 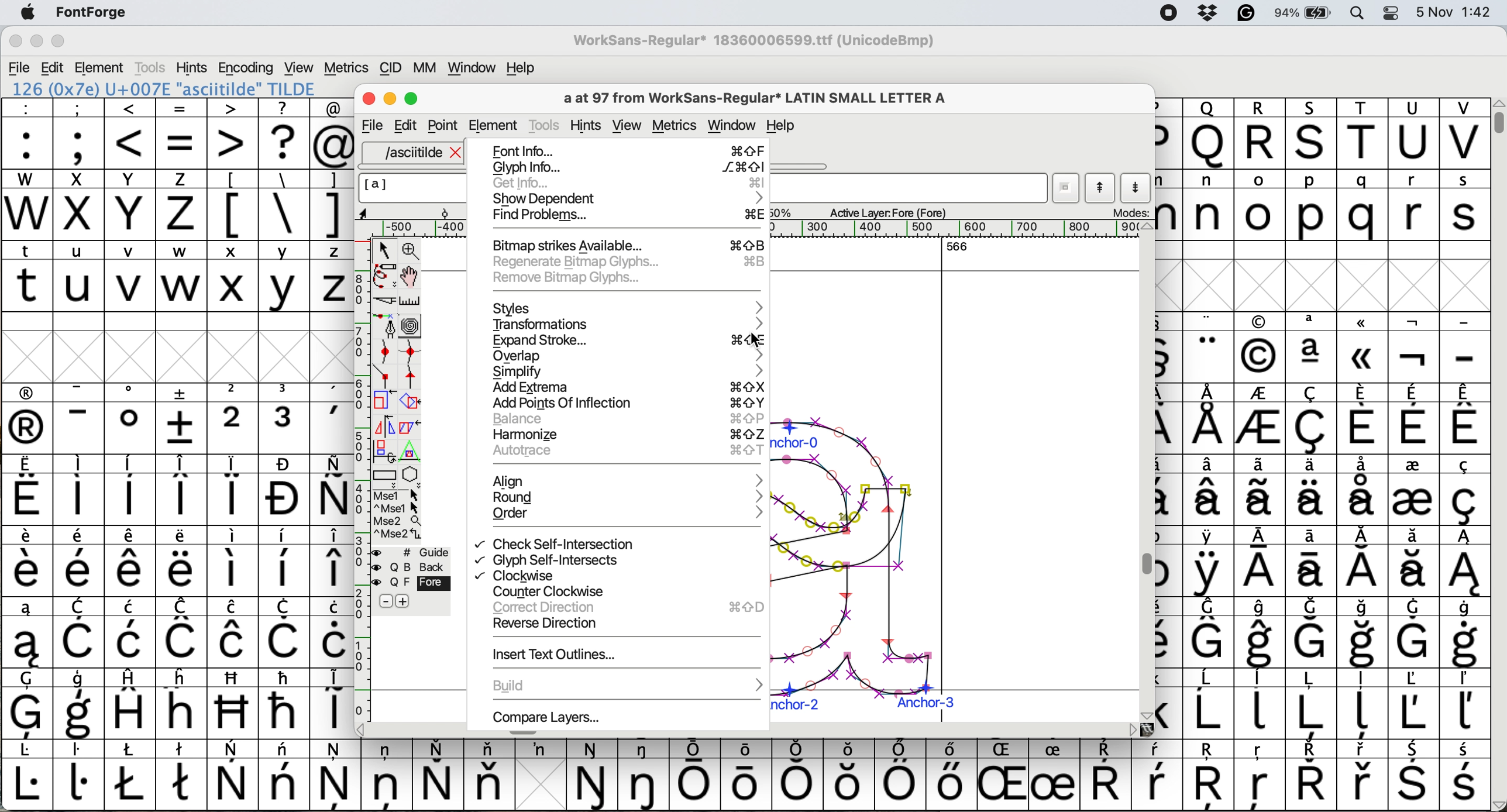 What do you see at coordinates (390, 188) in the screenshot?
I see `glyph name` at bounding box center [390, 188].